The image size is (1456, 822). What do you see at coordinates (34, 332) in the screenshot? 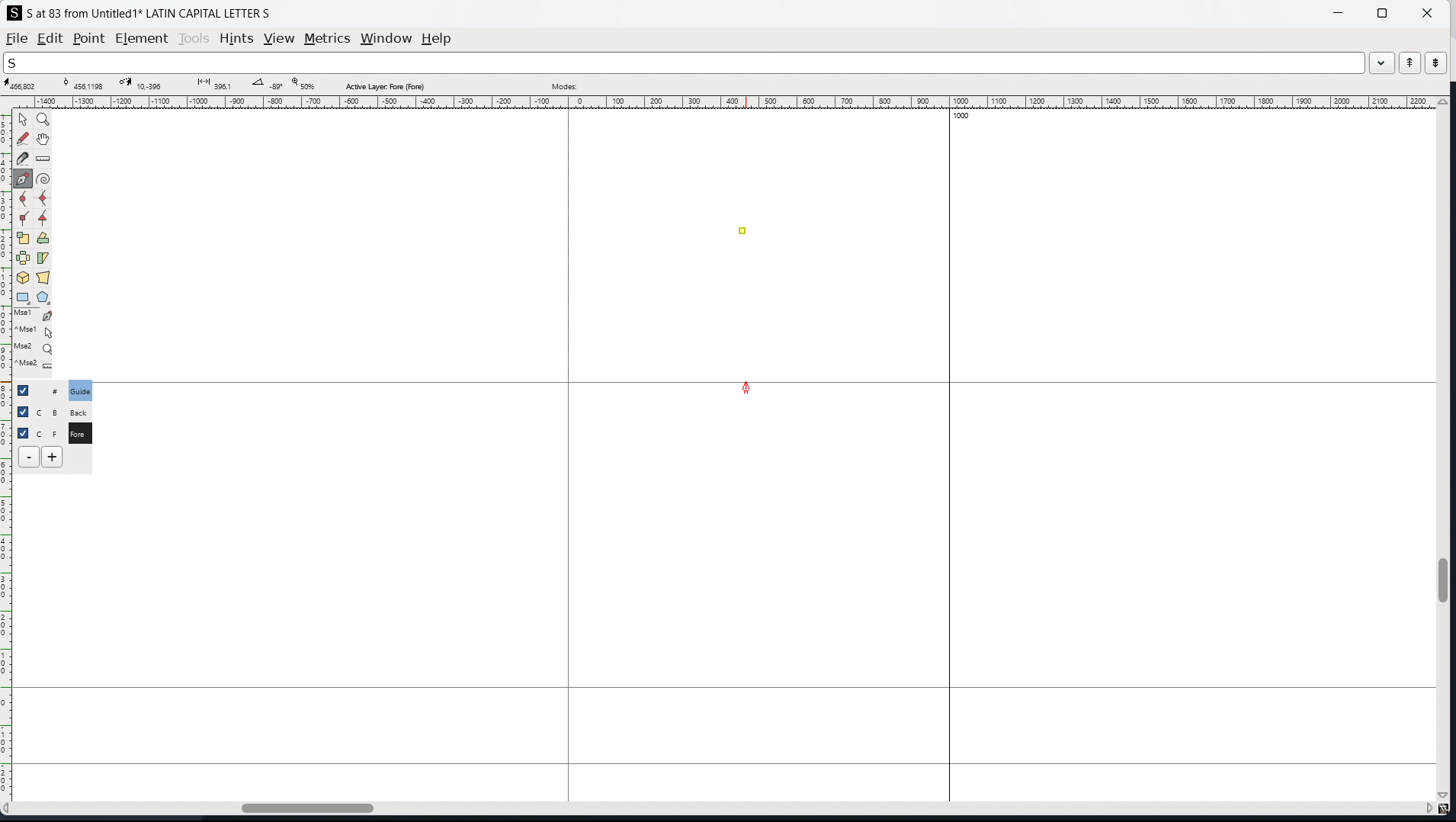
I see `^Mse1` at bounding box center [34, 332].